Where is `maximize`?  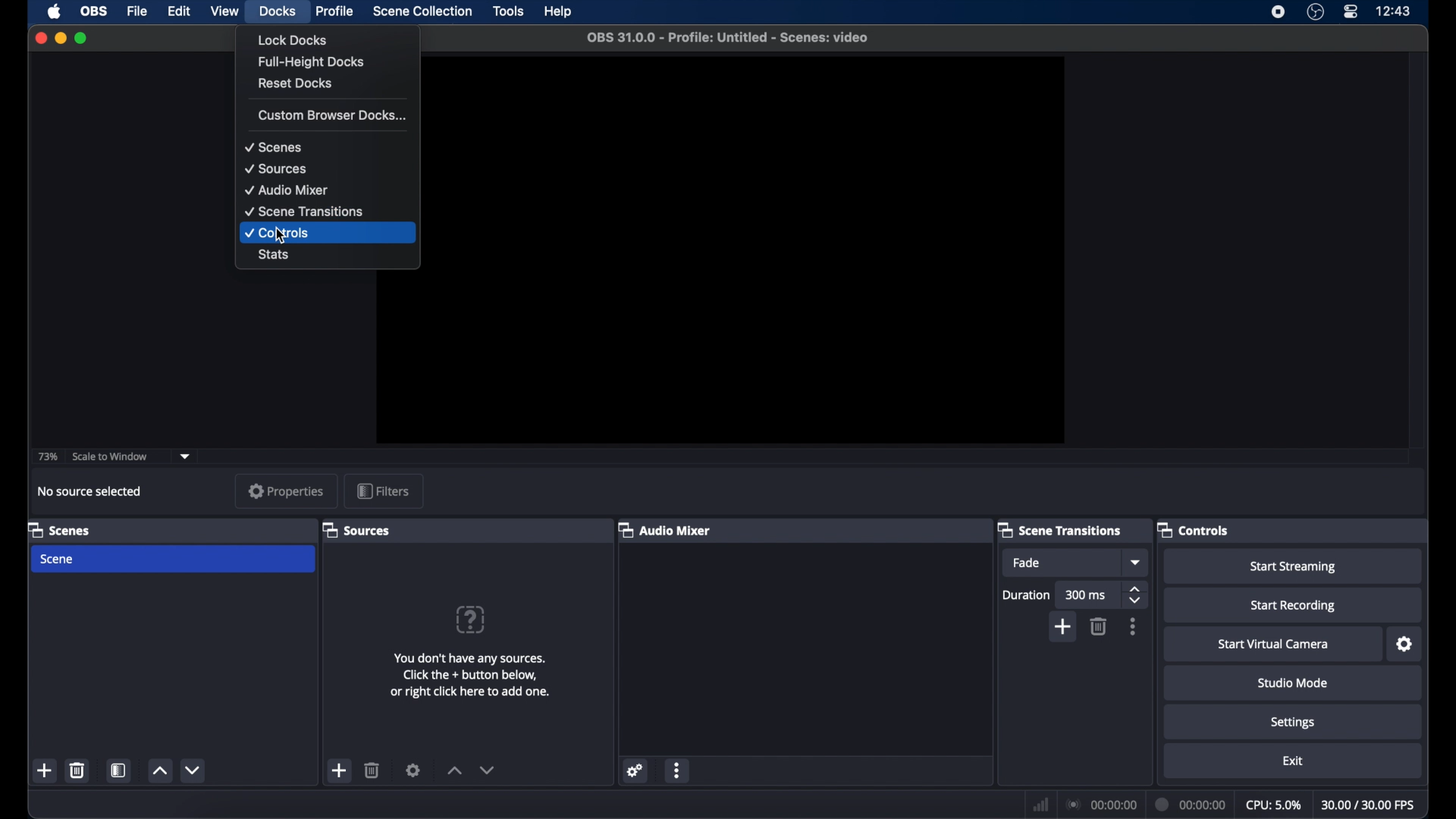
maximize is located at coordinates (82, 39).